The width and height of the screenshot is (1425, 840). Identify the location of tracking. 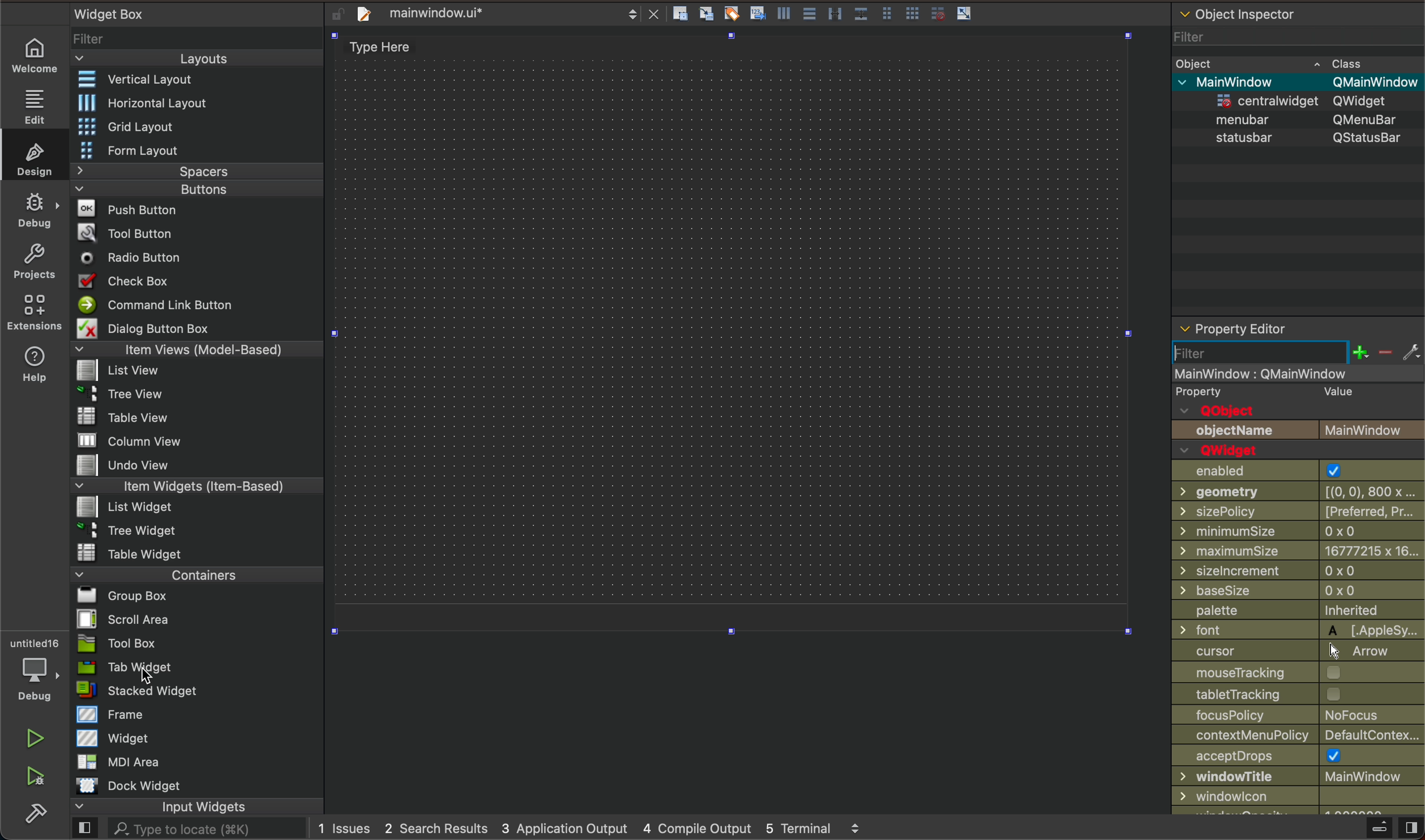
(1296, 694).